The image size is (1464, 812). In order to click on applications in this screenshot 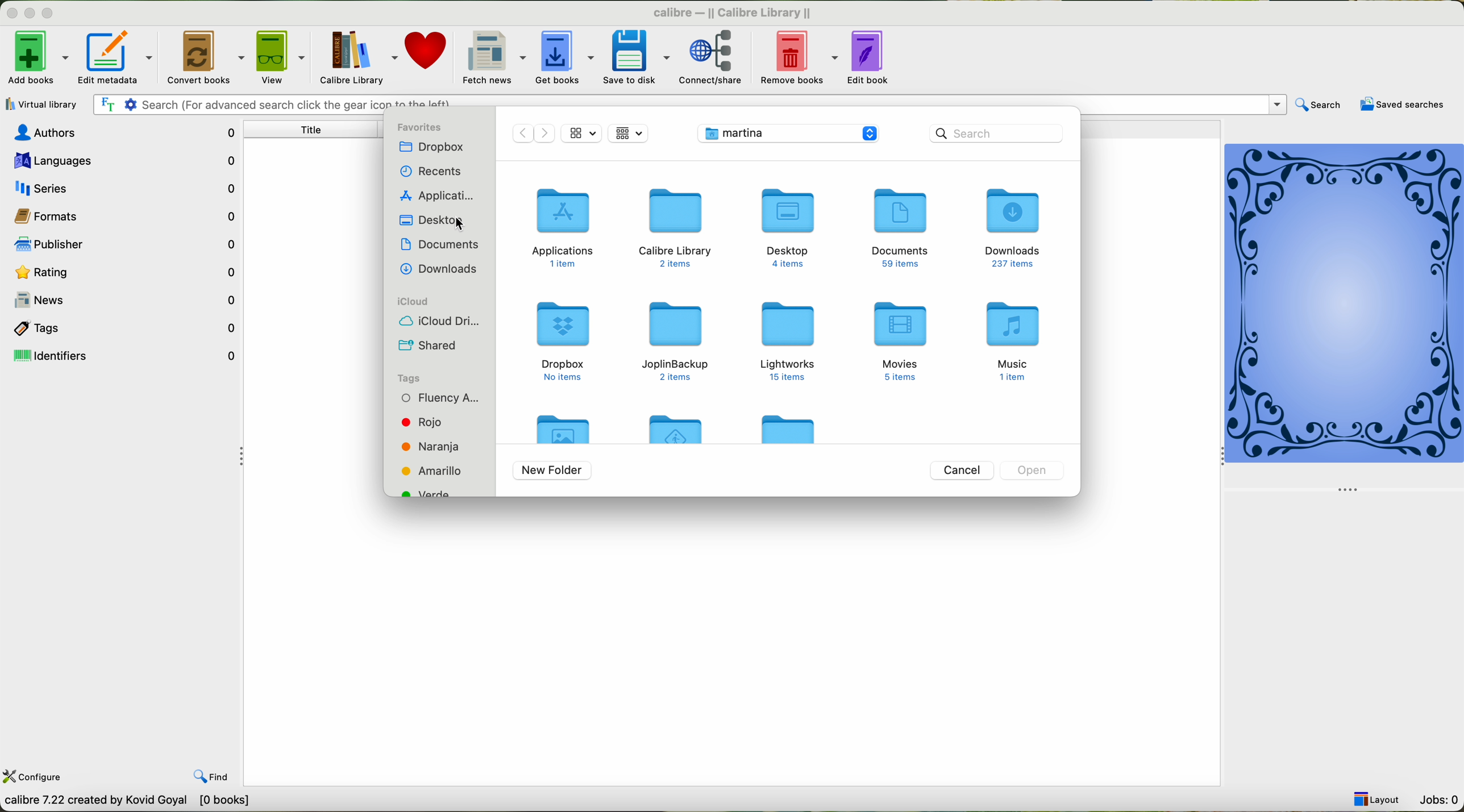, I will do `click(437, 196)`.